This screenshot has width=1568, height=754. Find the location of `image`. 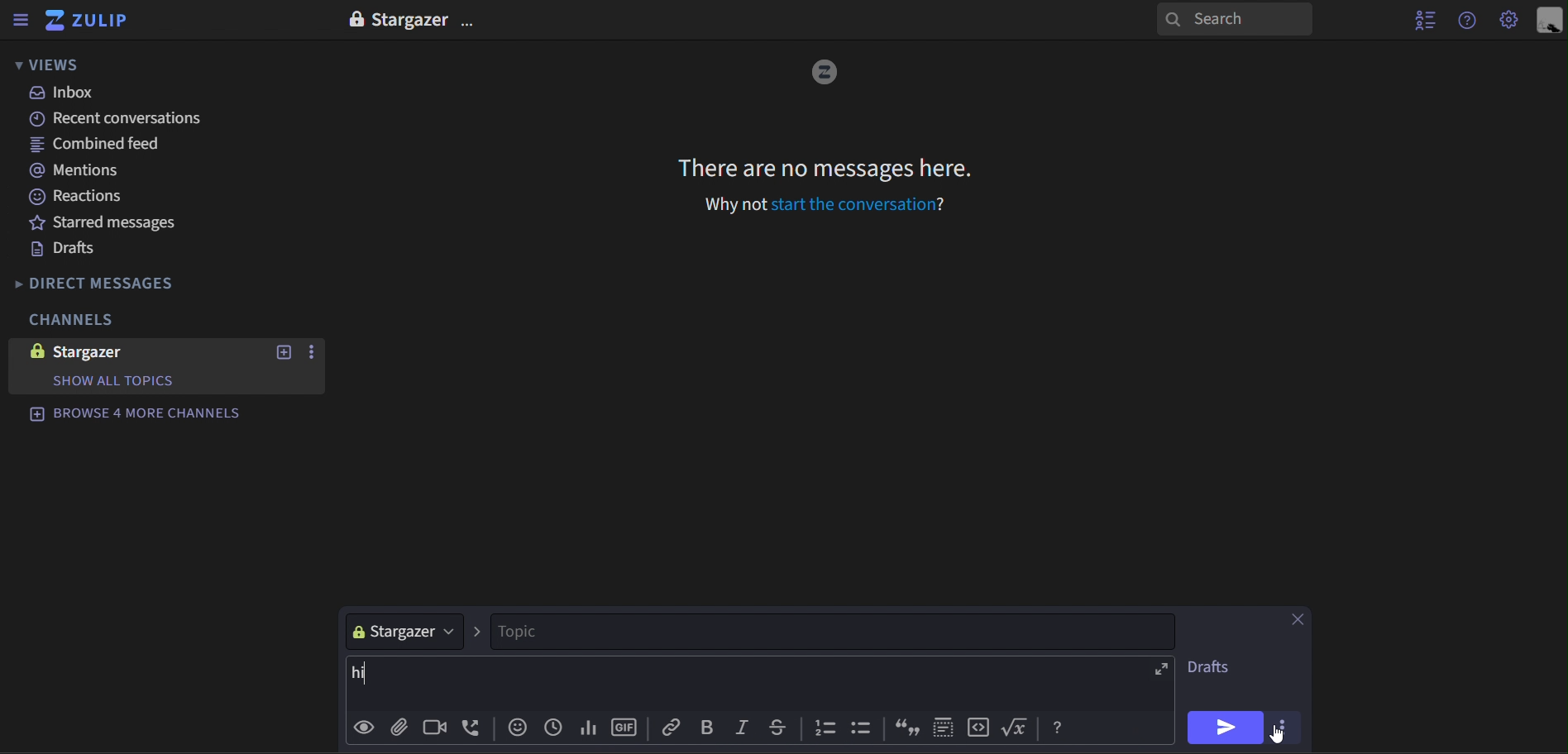

image is located at coordinates (825, 73).